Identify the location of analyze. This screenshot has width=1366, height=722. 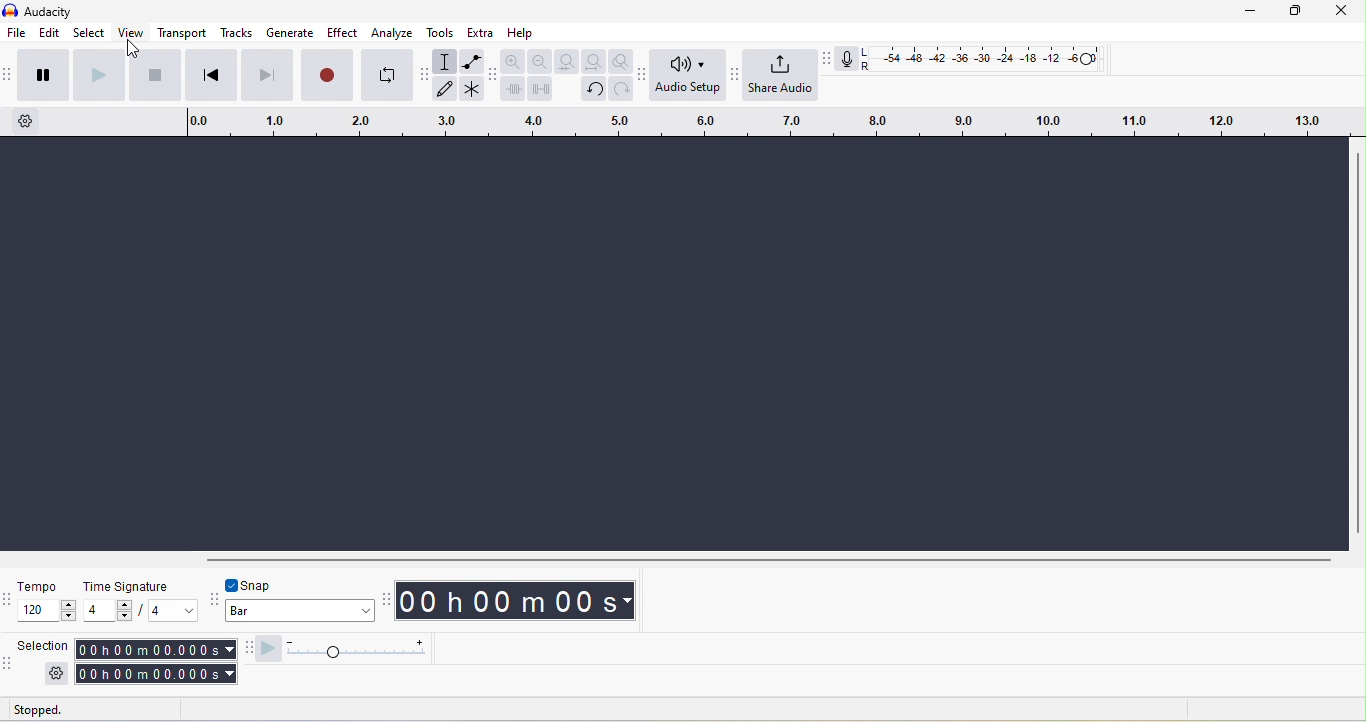
(392, 33).